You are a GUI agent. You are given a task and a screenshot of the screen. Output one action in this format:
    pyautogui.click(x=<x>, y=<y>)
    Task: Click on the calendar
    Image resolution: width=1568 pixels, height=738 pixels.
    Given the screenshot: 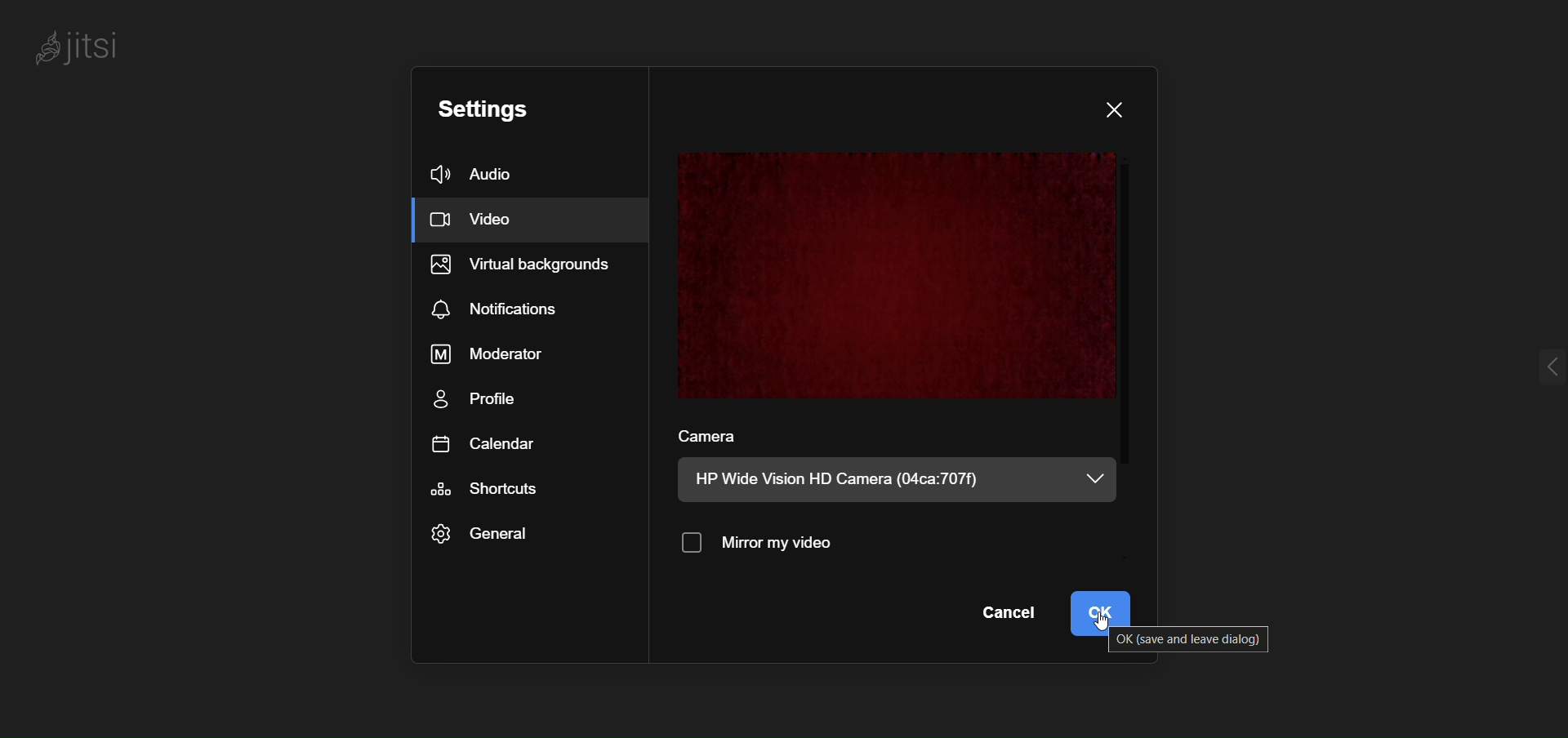 What is the action you would take?
    pyautogui.click(x=493, y=443)
    